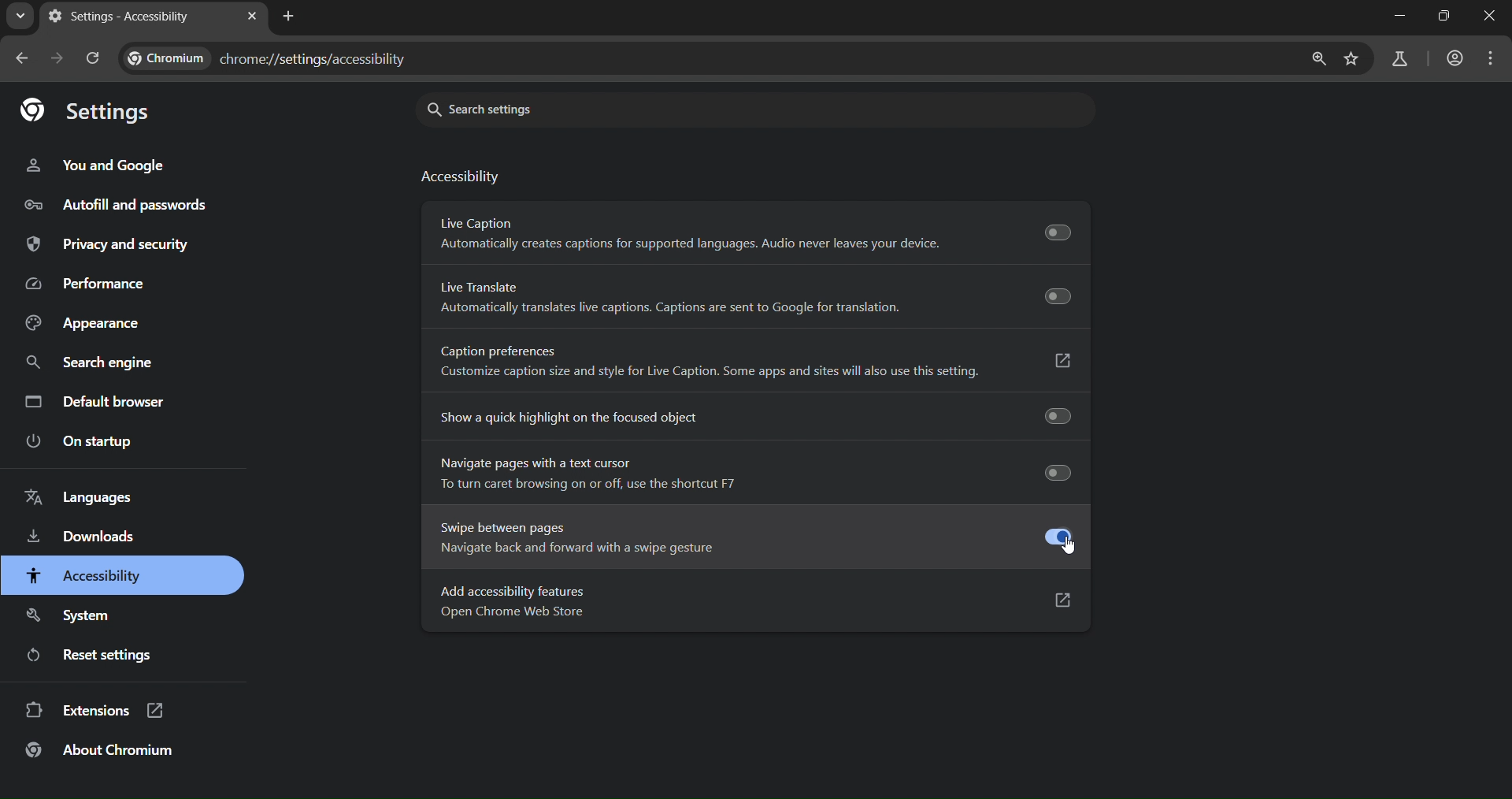 This screenshot has height=799, width=1512. I want to click on search engine, so click(86, 360).